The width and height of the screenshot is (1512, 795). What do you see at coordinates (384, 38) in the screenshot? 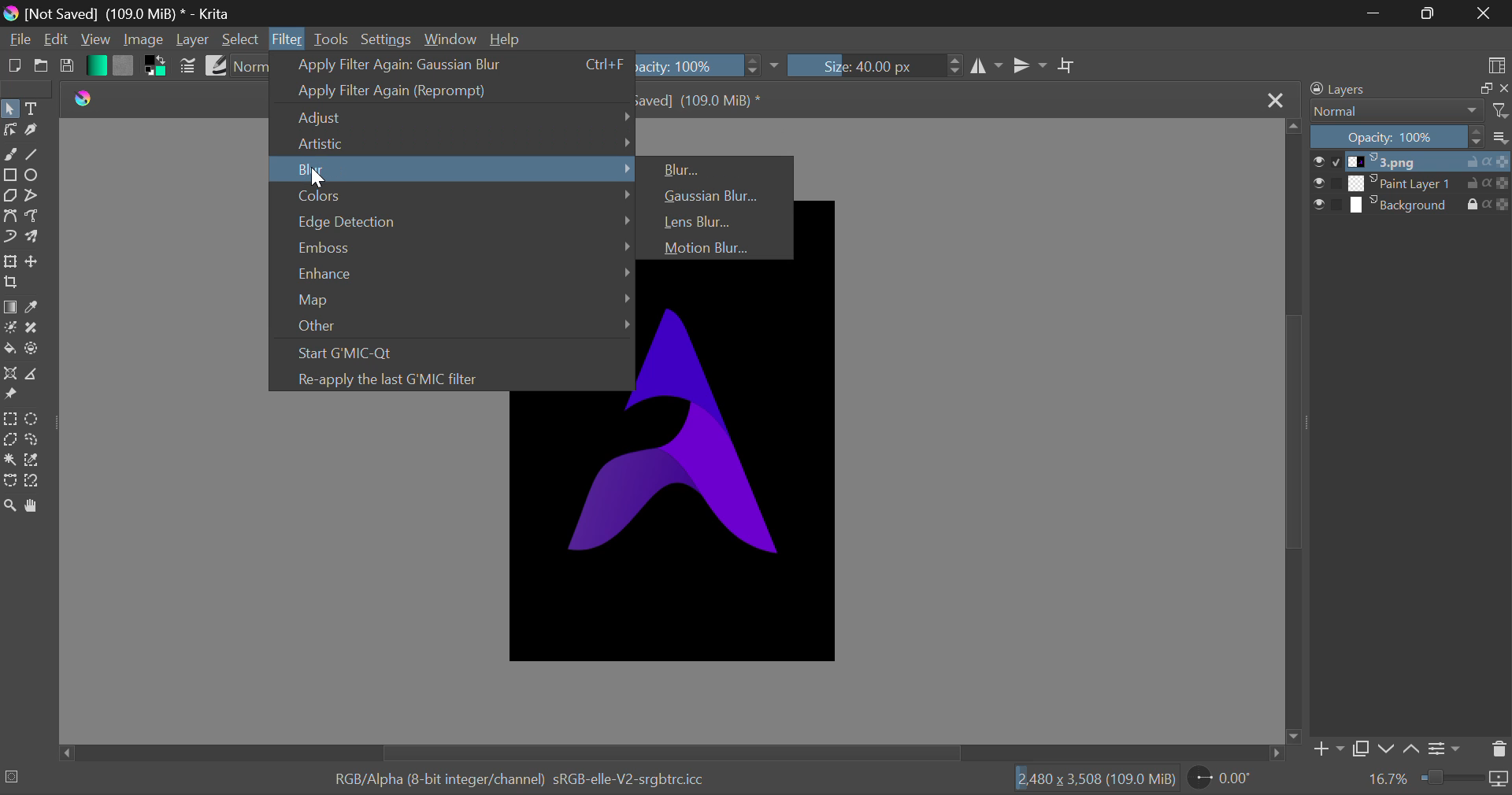
I see `Settings` at bounding box center [384, 38].